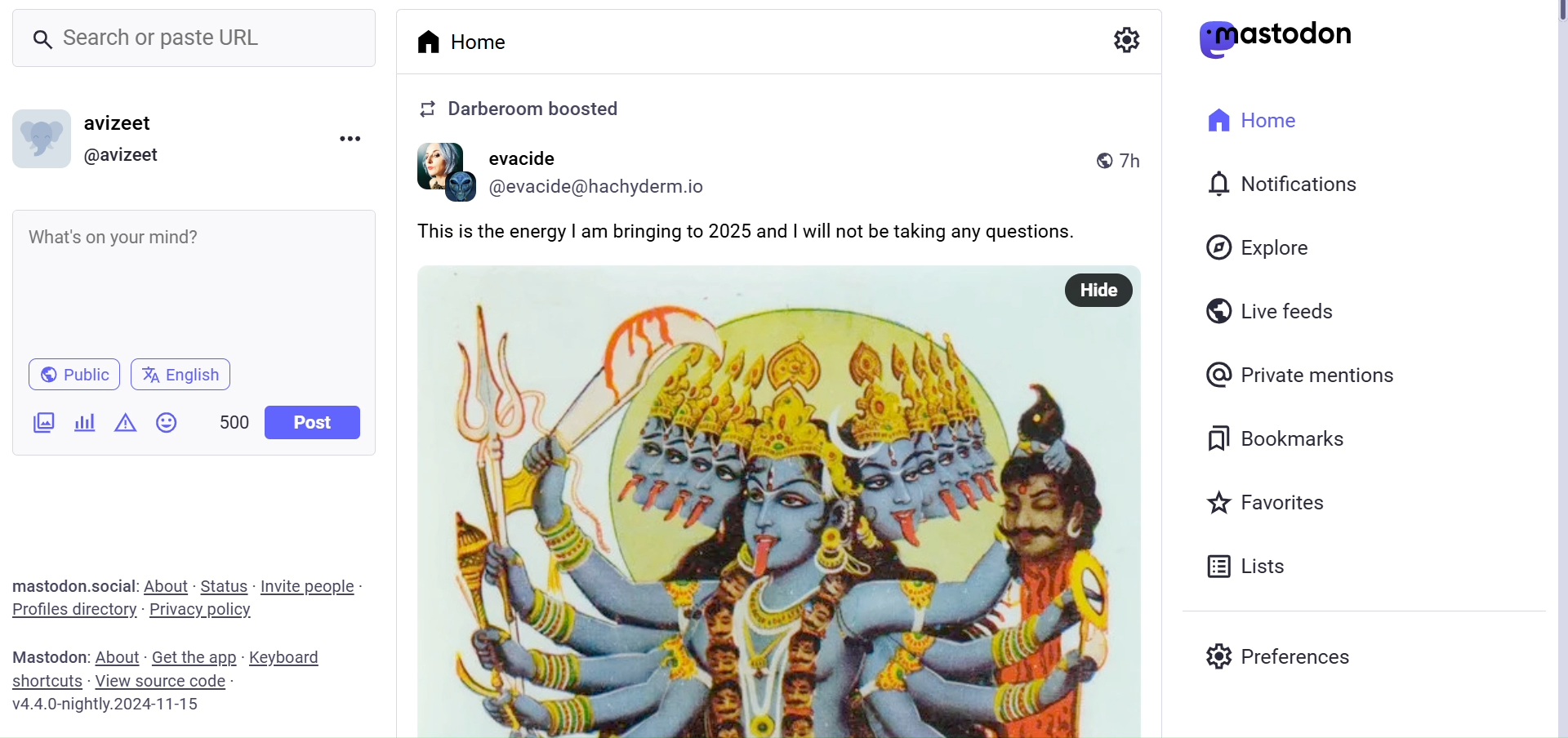  I want to click on Shortcuts, so click(48, 682).